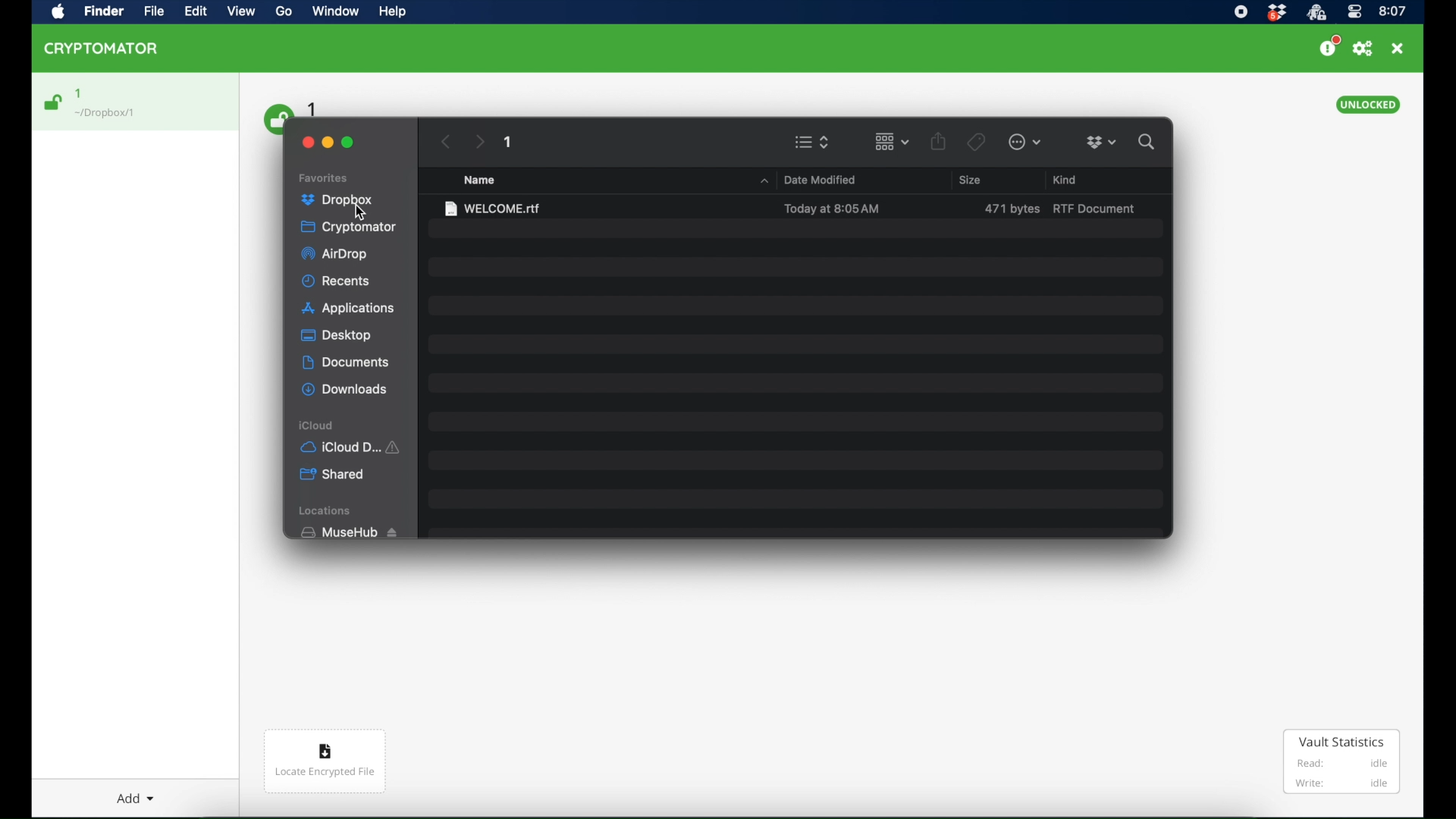  Describe the element at coordinates (326, 764) in the screenshot. I see `Locate encrypted file` at that location.